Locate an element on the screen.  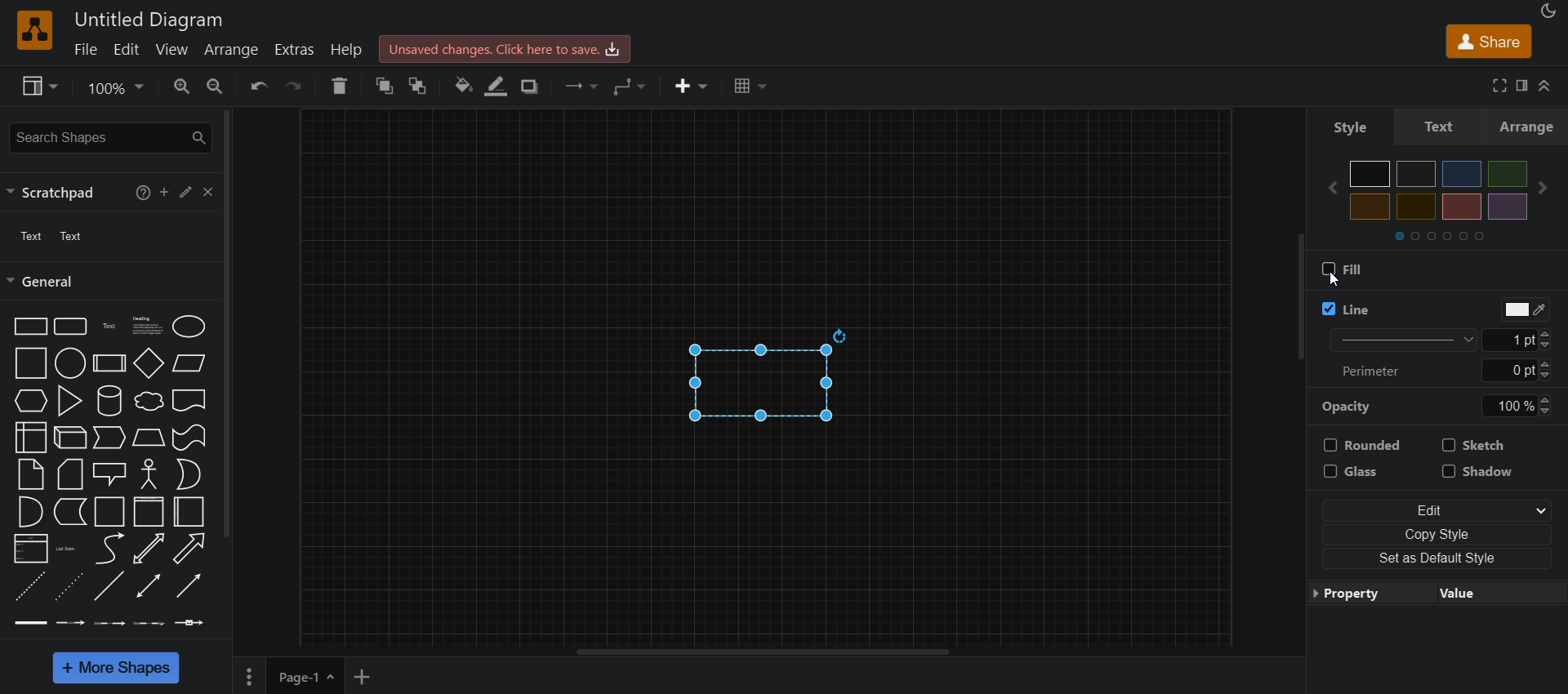
vertical container is located at coordinates (148, 512).